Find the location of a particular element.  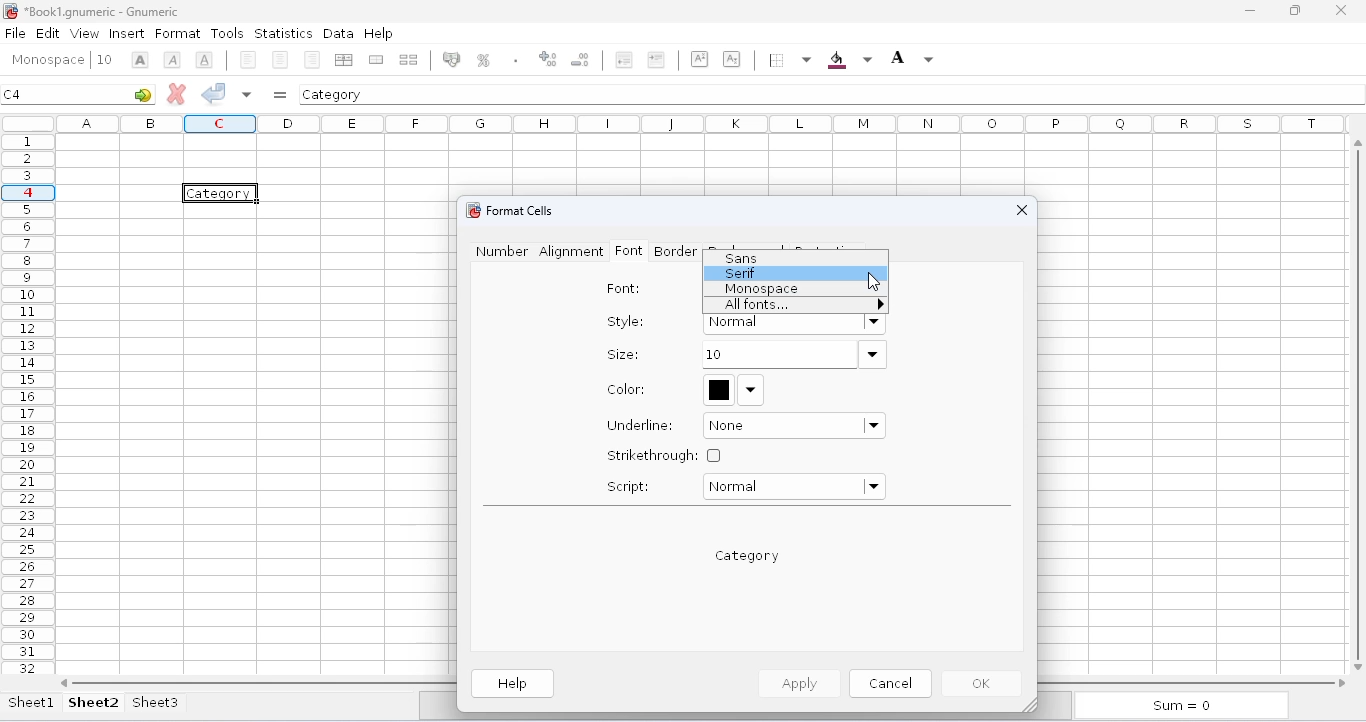

cancel is located at coordinates (890, 682).